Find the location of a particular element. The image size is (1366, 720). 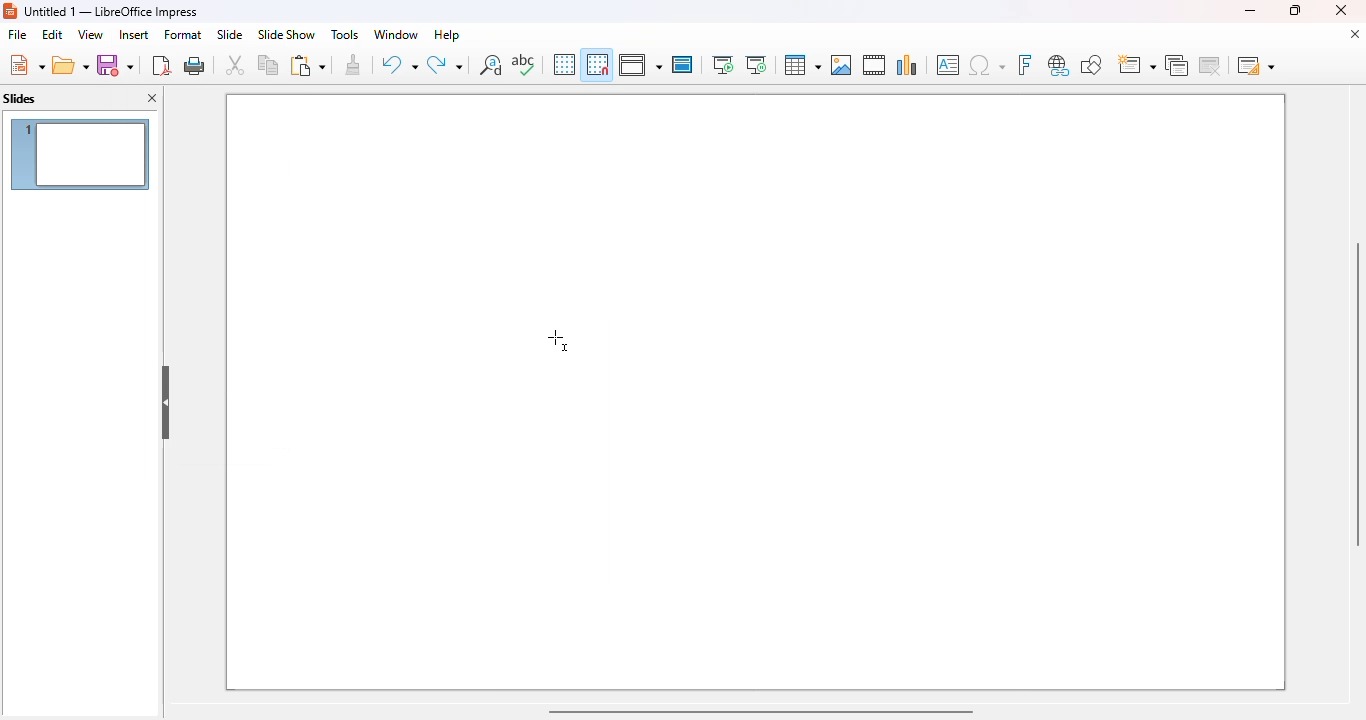

insert chart is located at coordinates (907, 64).